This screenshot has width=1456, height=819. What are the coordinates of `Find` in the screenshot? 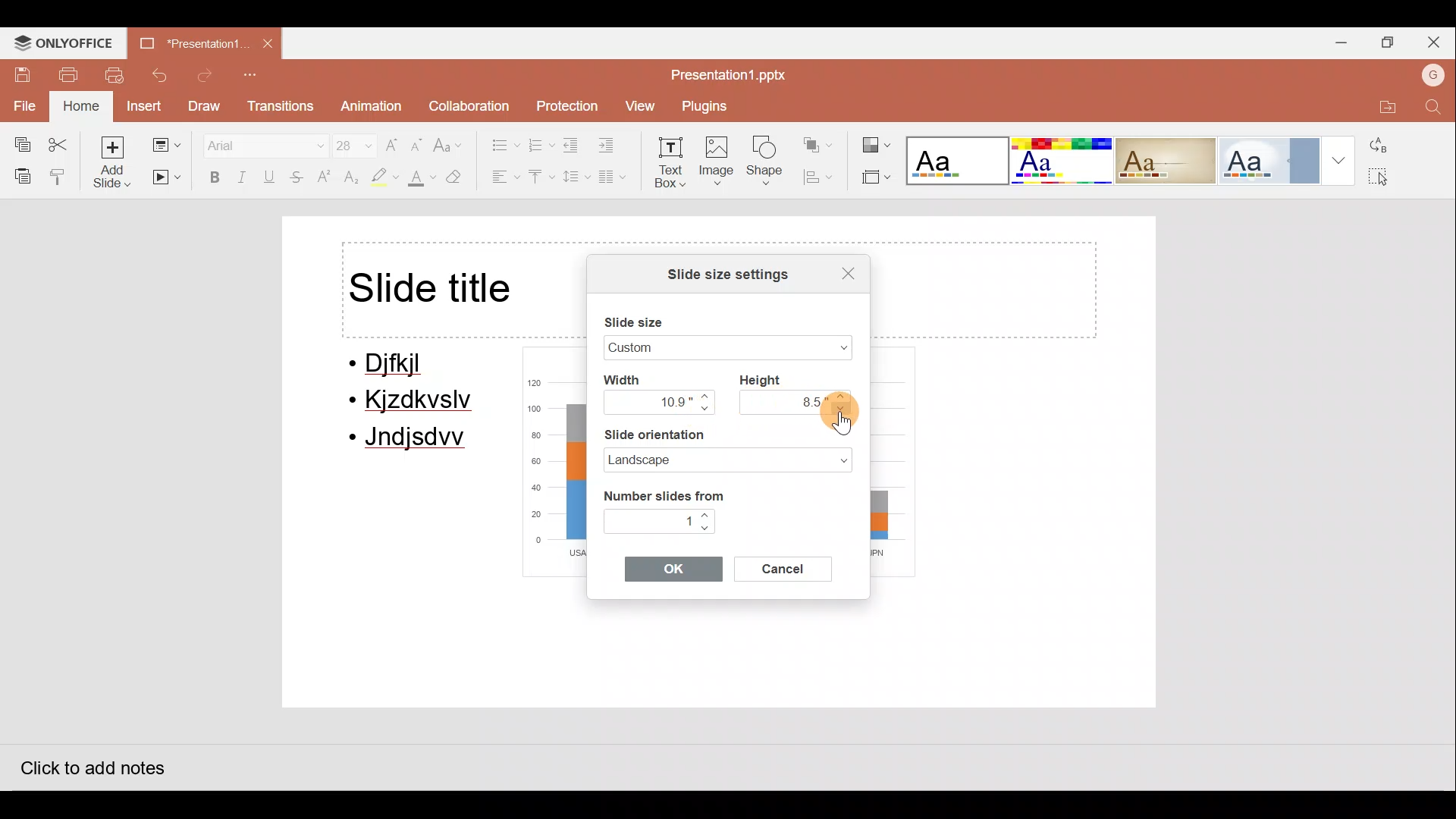 It's located at (1433, 108).